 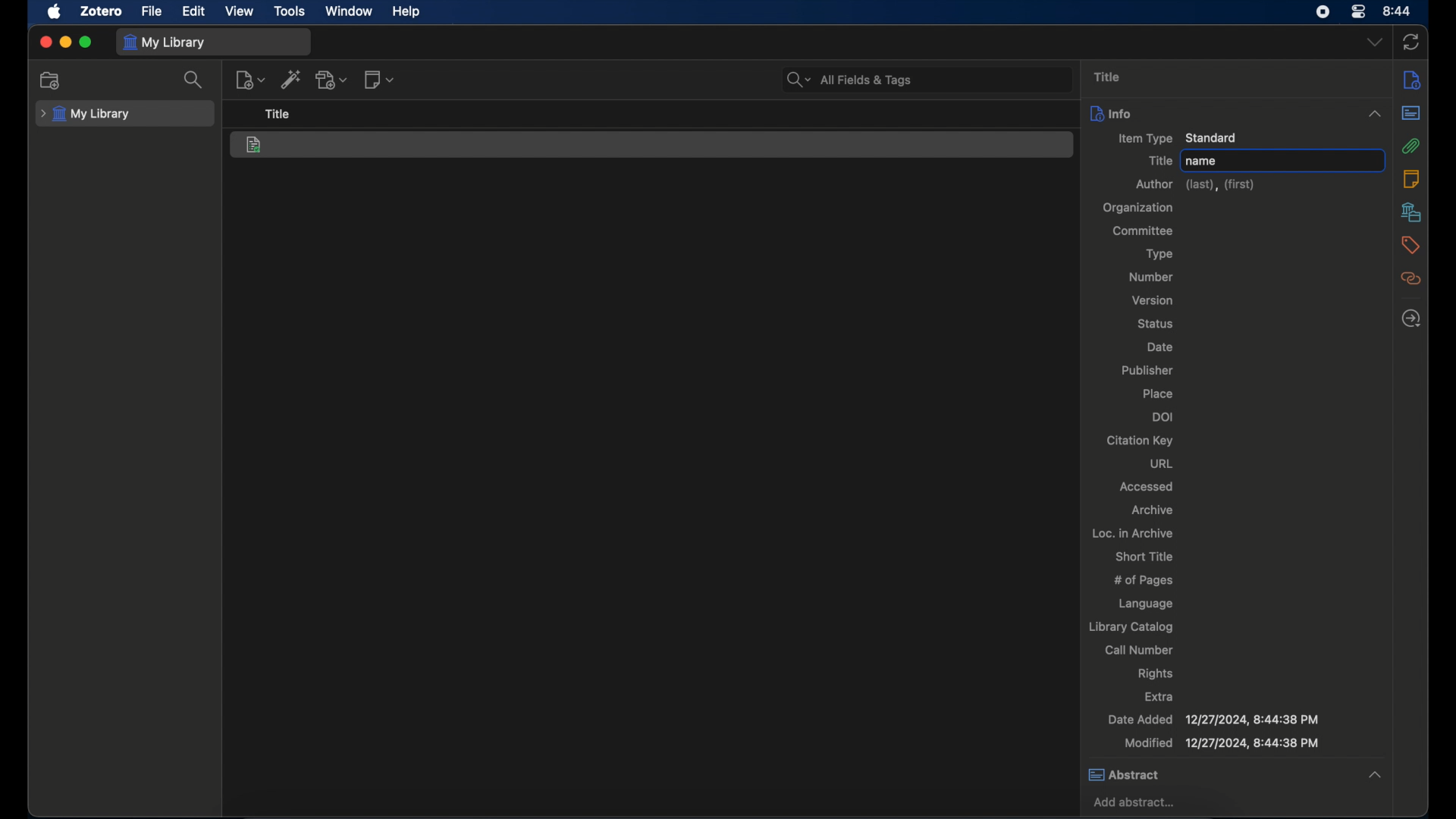 I want to click on control center, so click(x=1360, y=12).